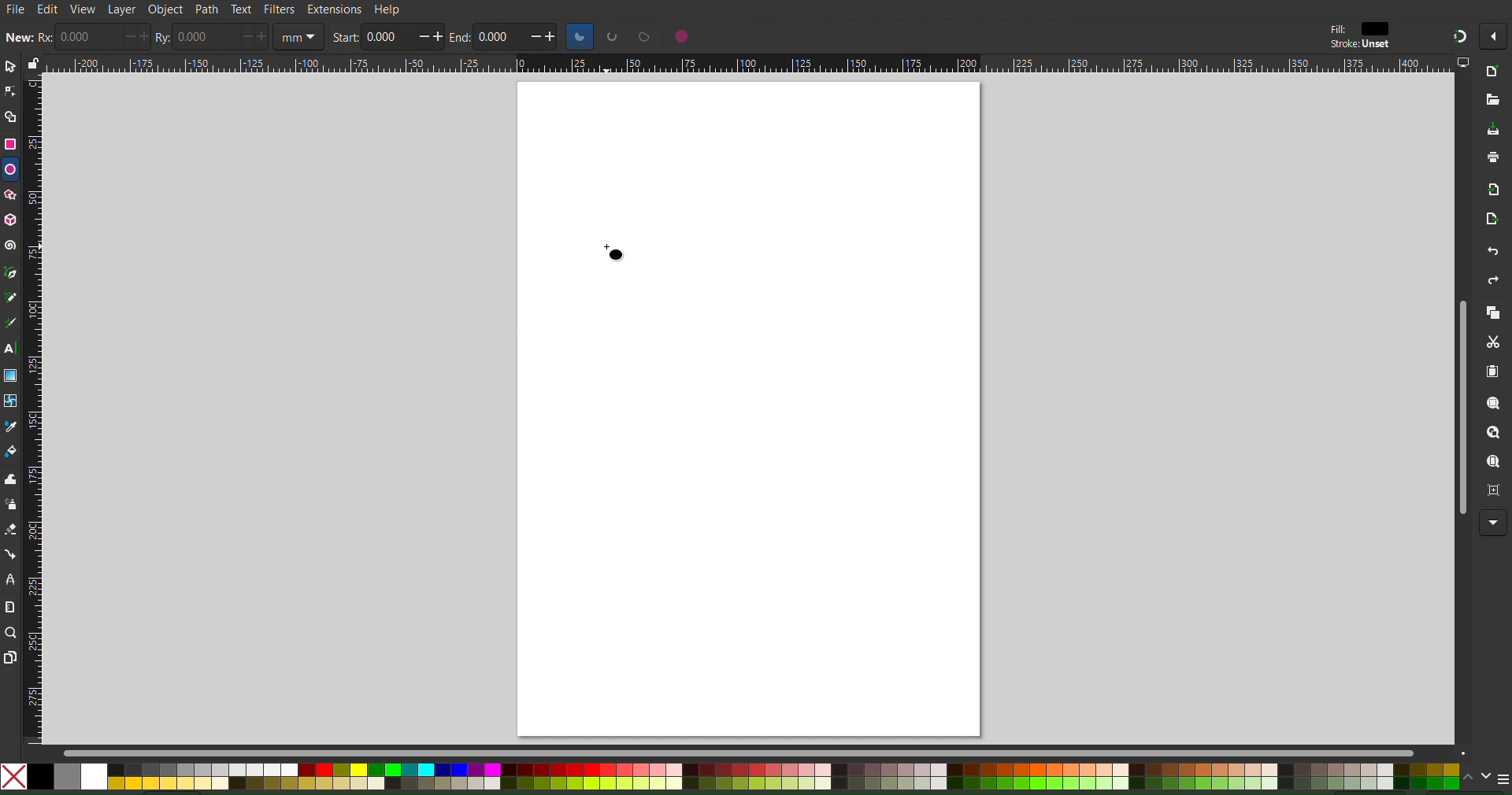 This screenshot has width=1512, height=795. What do you see at coordinates (11, 116) in the screenshot?
I see `Shape Builder Tool` at bounding box center [11, 116].